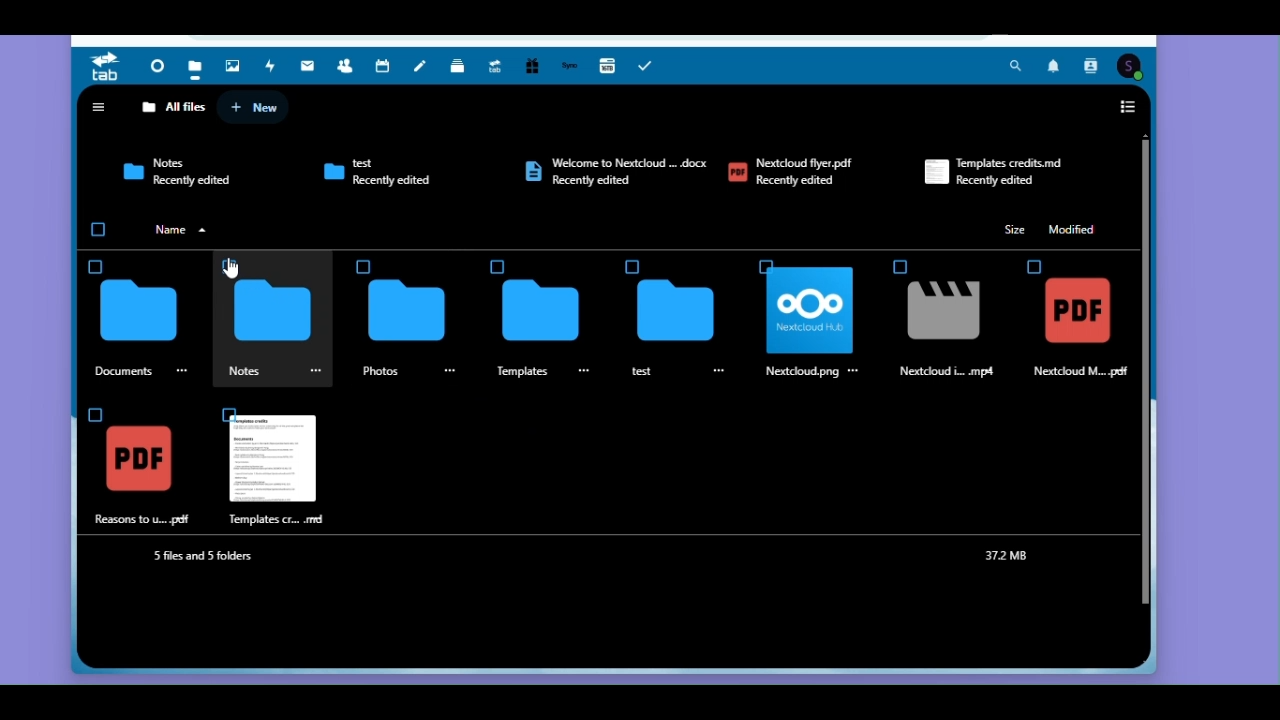 Image resolution: width=1280 pixels, height=720 pixels. I want to click on Icon, so click(138, 310).